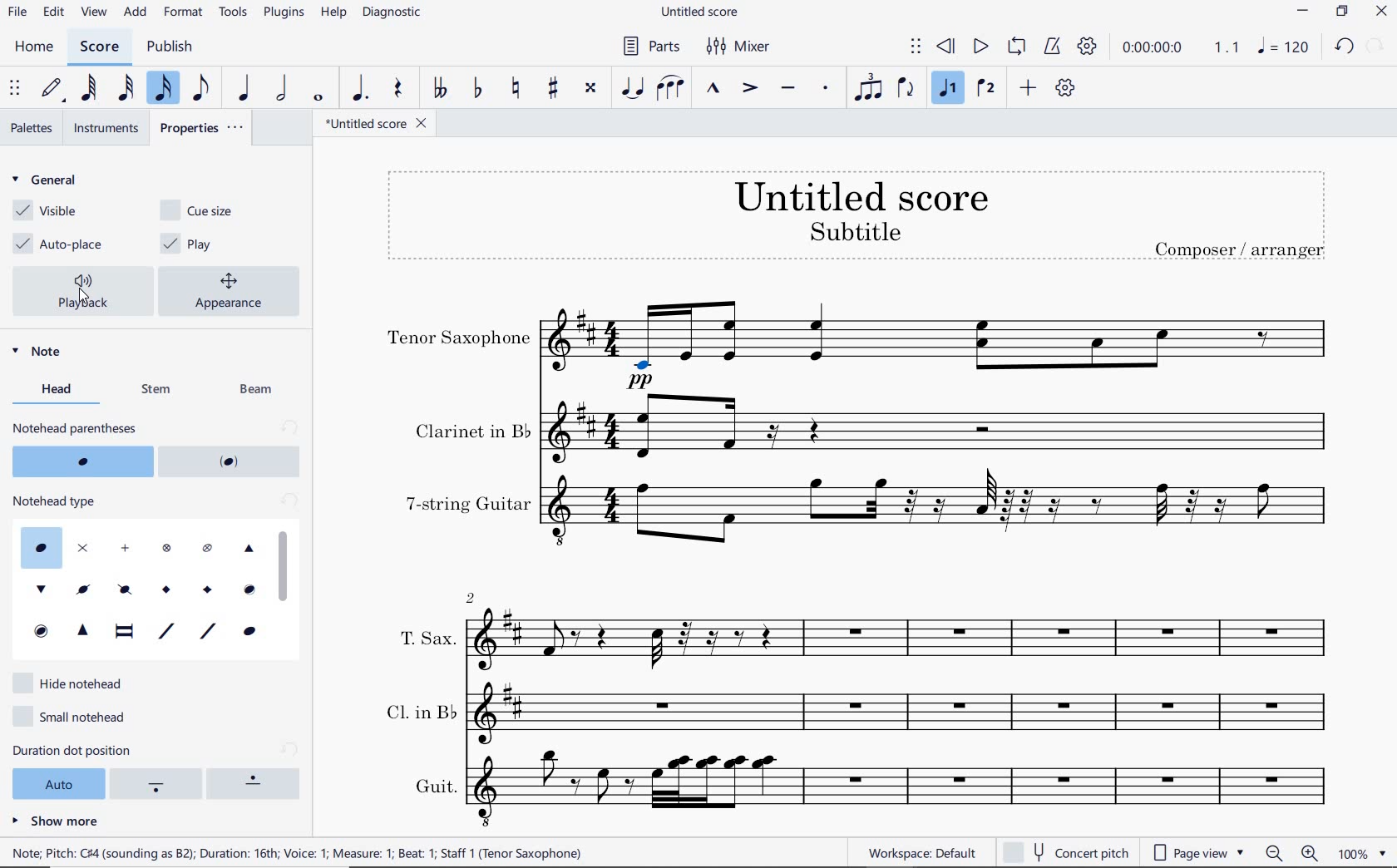  Describe the element at coordinates (1302, 11) in the screenshot. I see `minimize` at that location.